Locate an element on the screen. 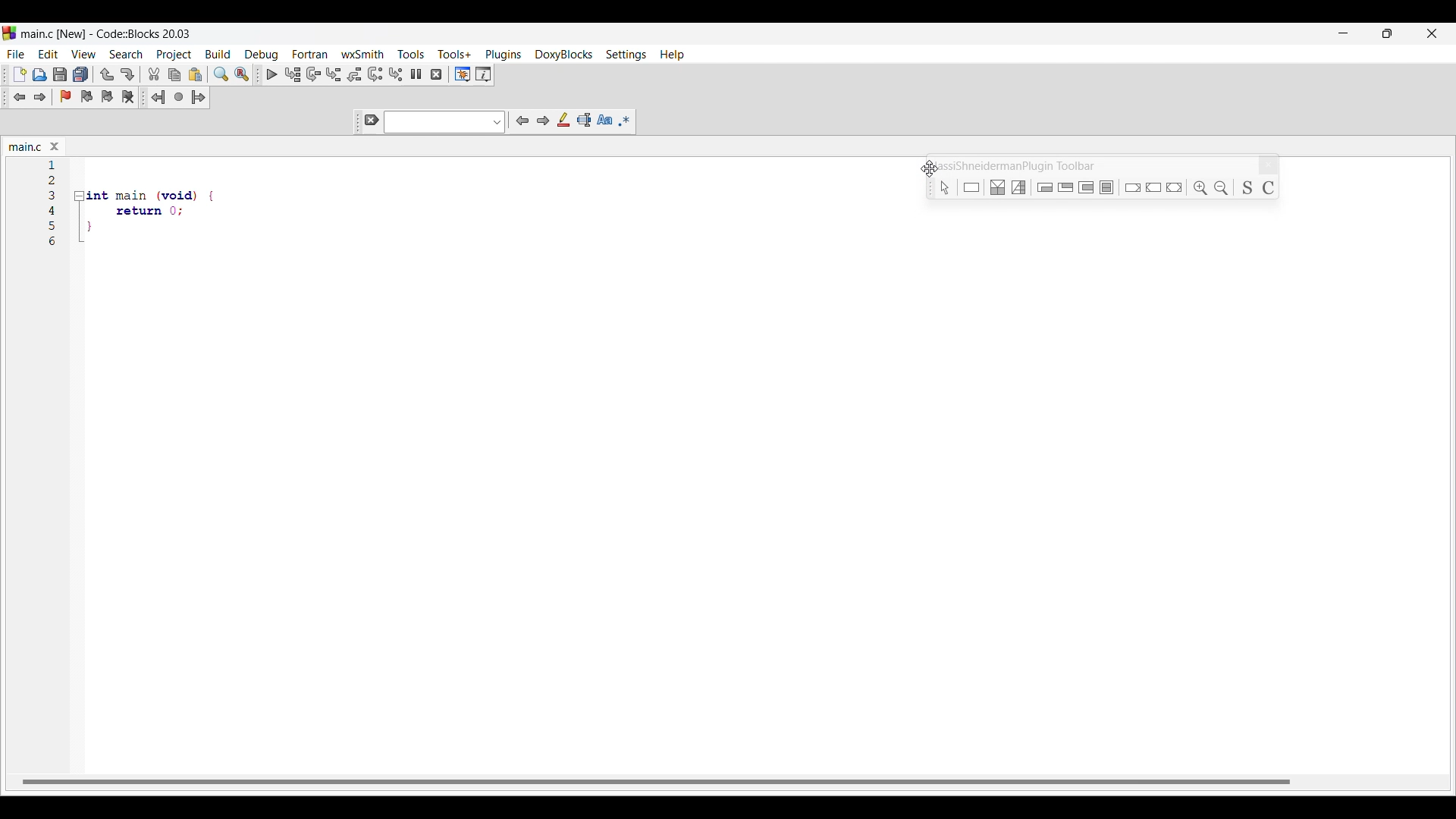 Image resolution: width=1456 pixels, height=819 pixels.  is located at coordinates (1109, 187).